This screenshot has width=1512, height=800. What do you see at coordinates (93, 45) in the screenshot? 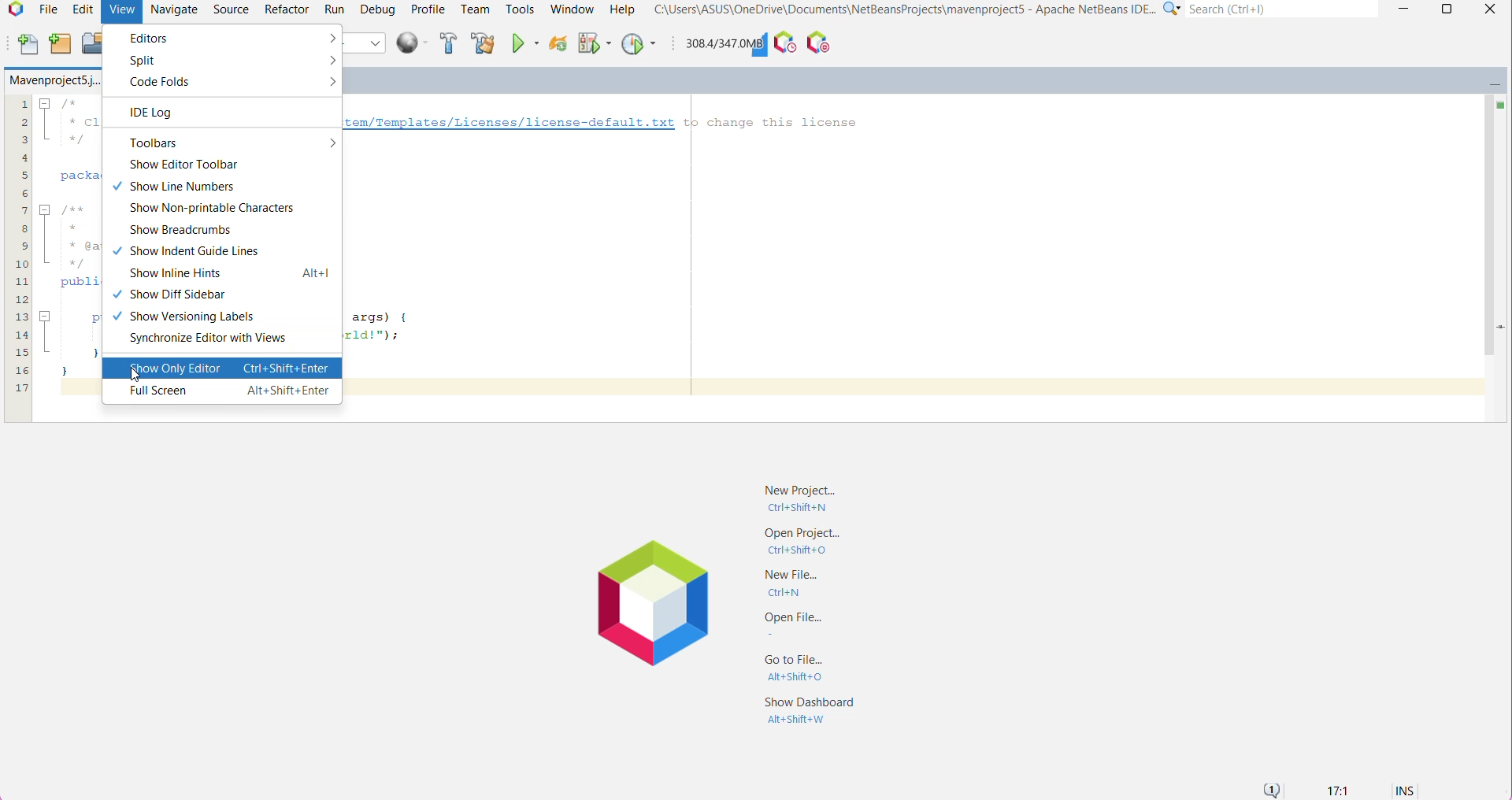
I see `Open Project` at bounding box center [93, 45].